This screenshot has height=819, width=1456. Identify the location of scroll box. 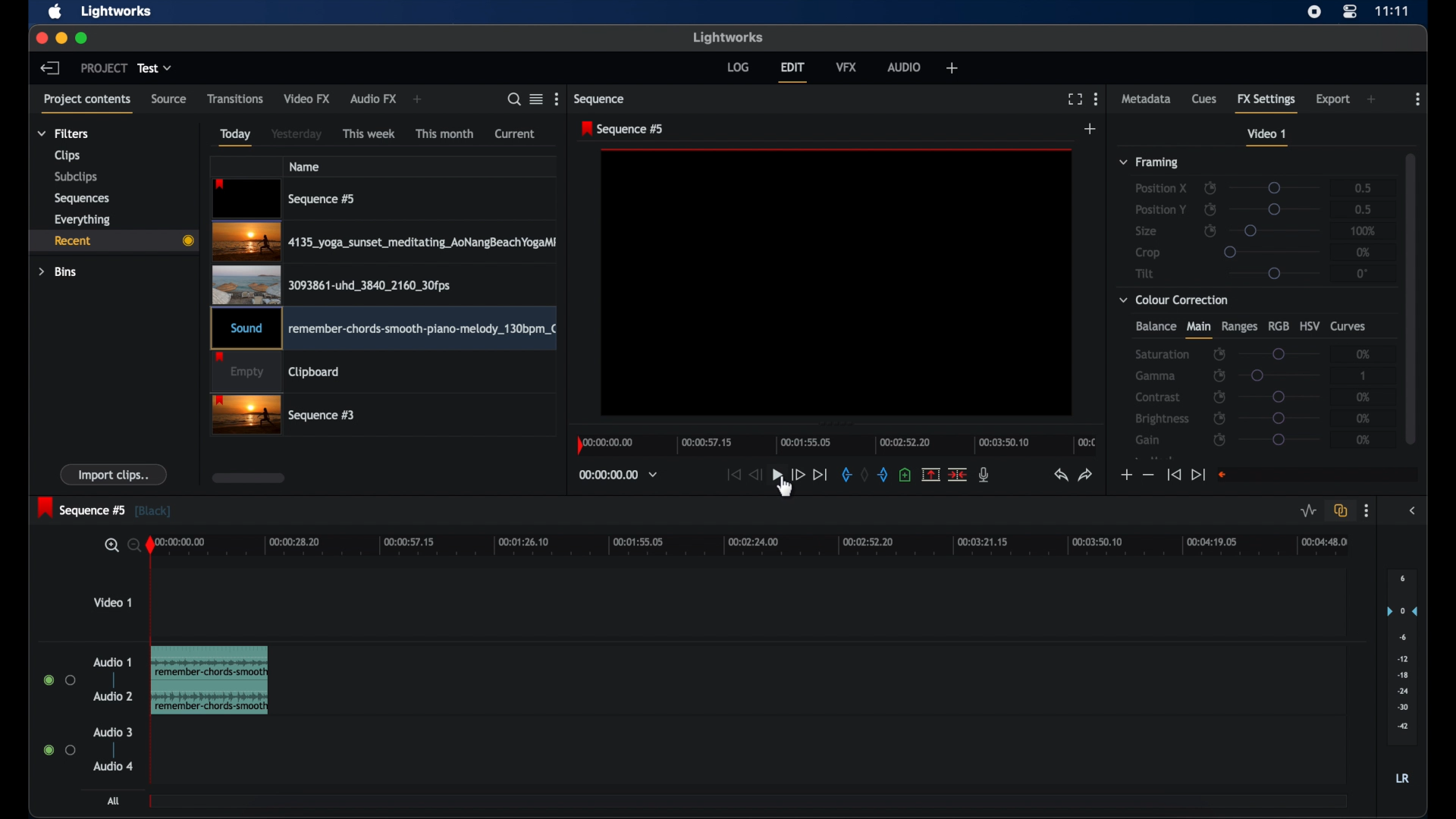
(249, 478).